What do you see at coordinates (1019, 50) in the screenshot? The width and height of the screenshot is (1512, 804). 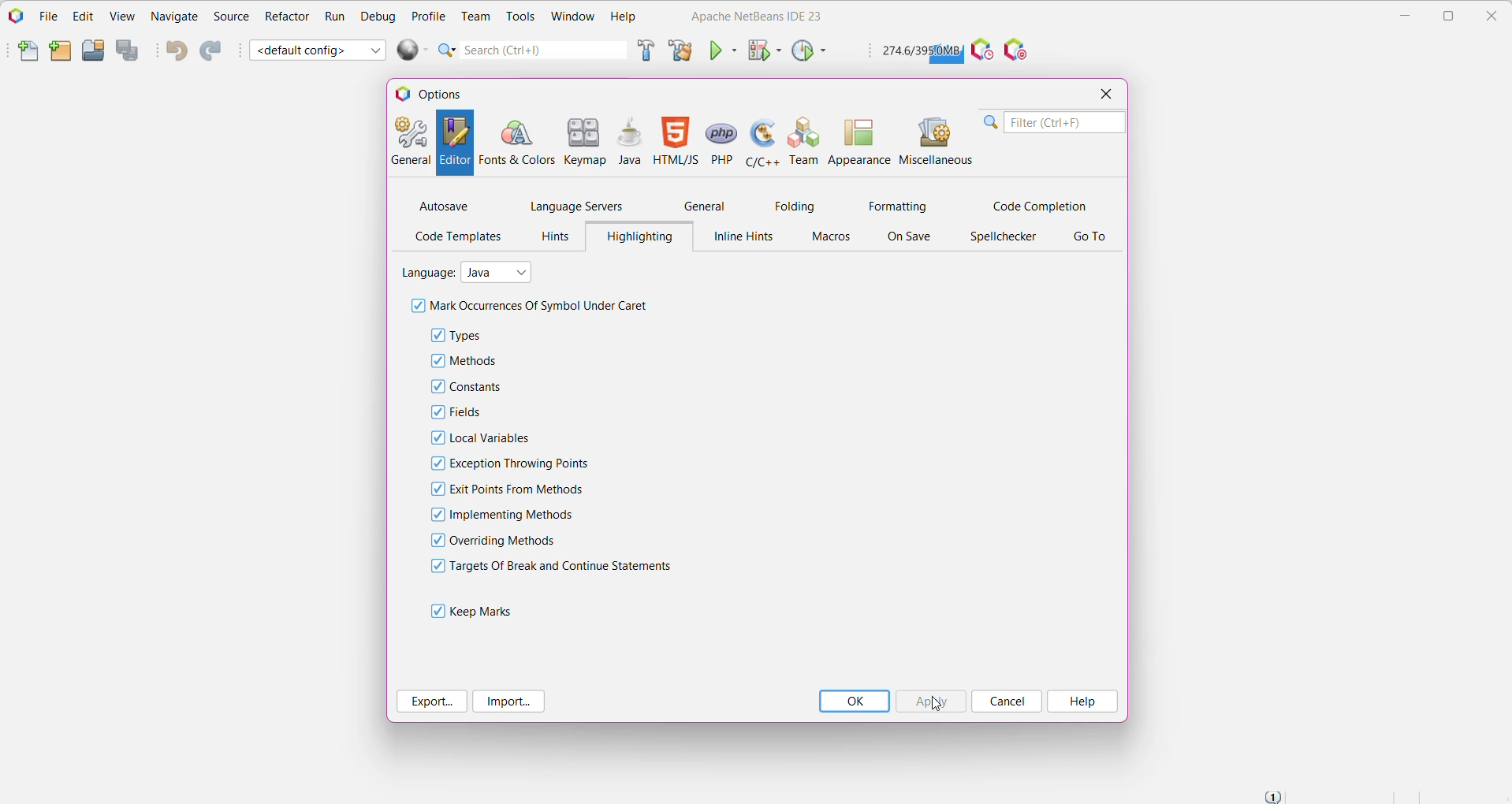 I see `Pause I/O Checks` at bounding box center [1019, 50].